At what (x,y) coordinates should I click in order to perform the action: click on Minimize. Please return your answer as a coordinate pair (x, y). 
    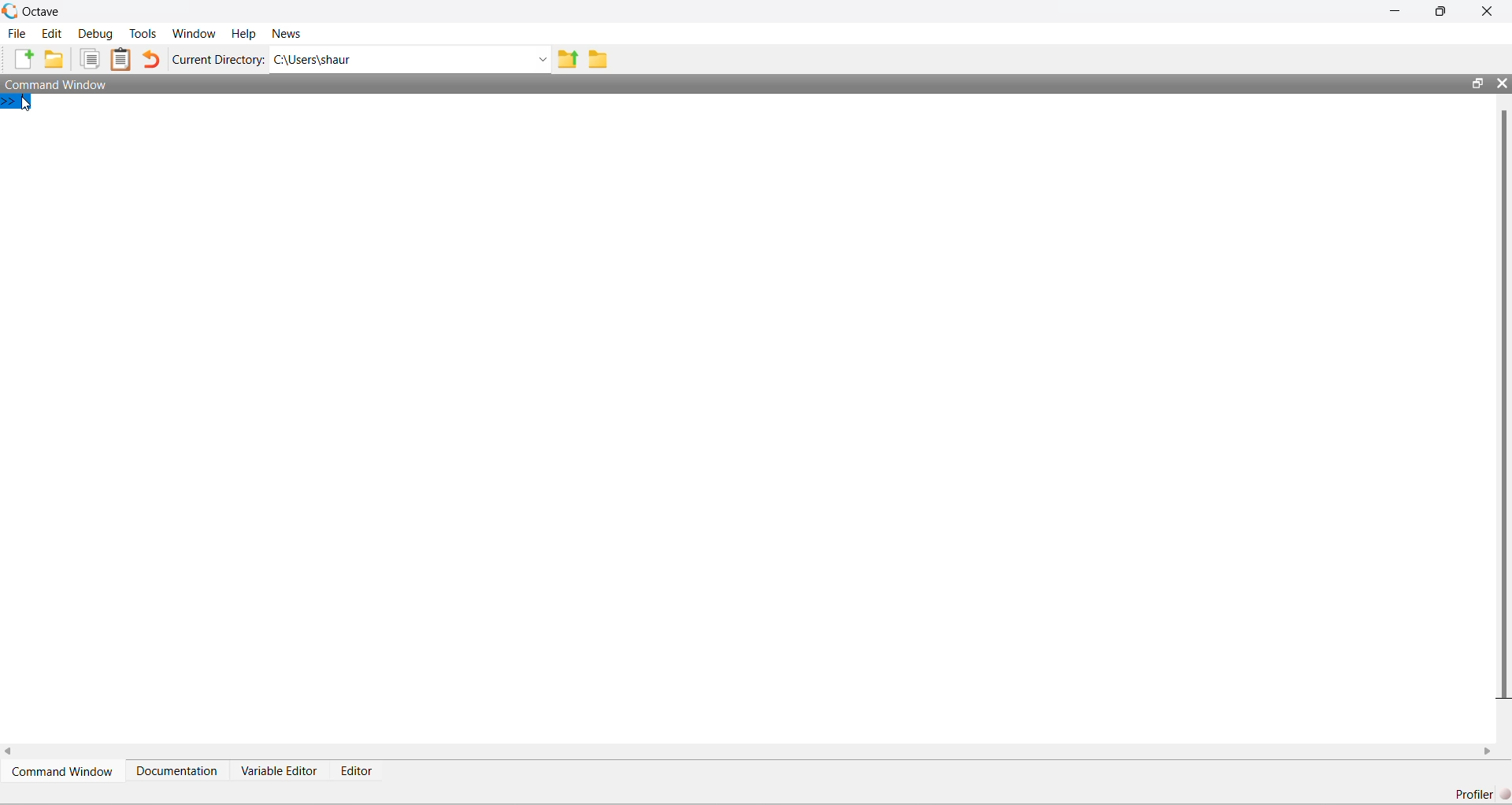
    Looking at the image, I should click on (1396, 10).